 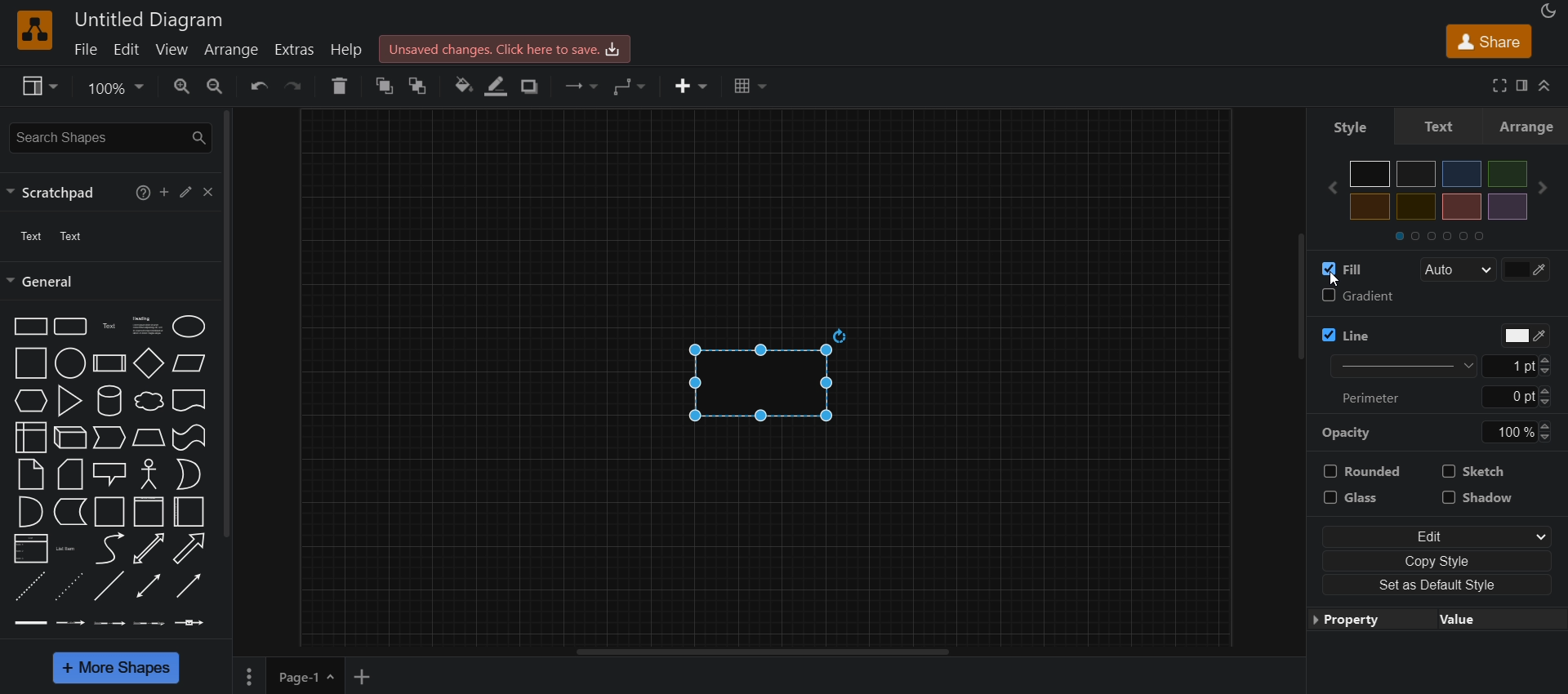 I want to click on fill , so click(x=1343, y=269).